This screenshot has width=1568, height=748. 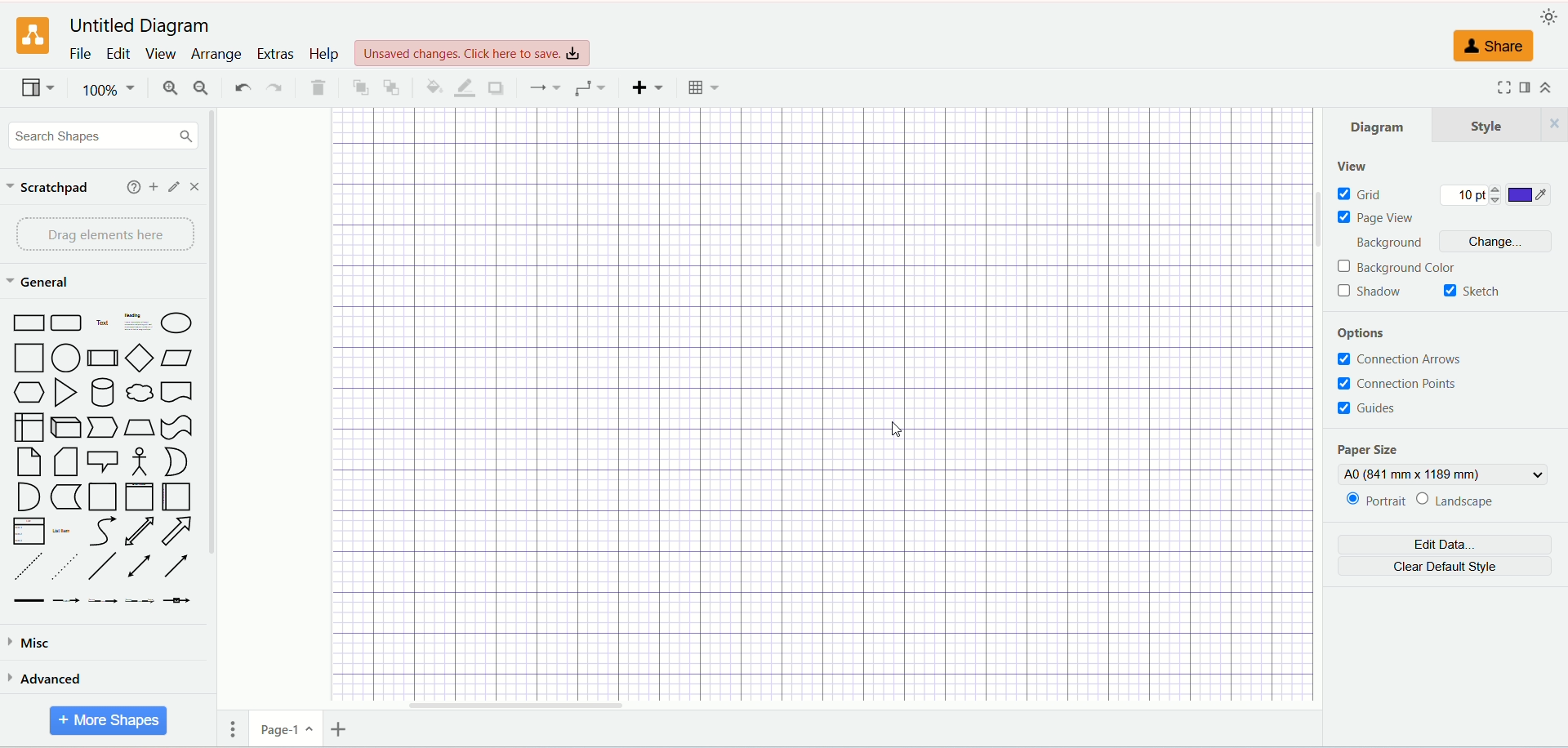 What do you see at coordinates (1405, 360) in the screenshot?
I see `connection arrows` at bounding box center [1405, 360].